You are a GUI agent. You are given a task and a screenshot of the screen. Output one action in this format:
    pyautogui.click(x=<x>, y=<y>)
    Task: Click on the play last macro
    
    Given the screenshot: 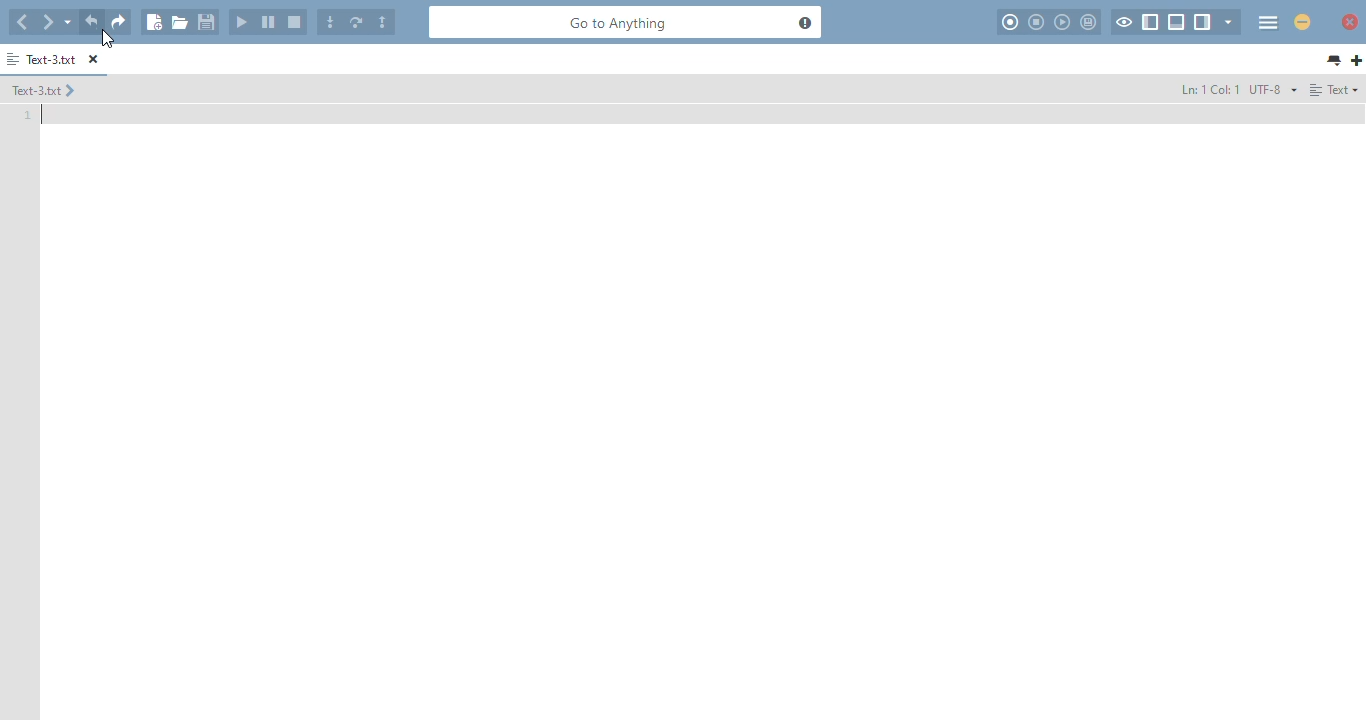 What is the action you would take?
    pyautogui.click(x=1062, y=22)
    